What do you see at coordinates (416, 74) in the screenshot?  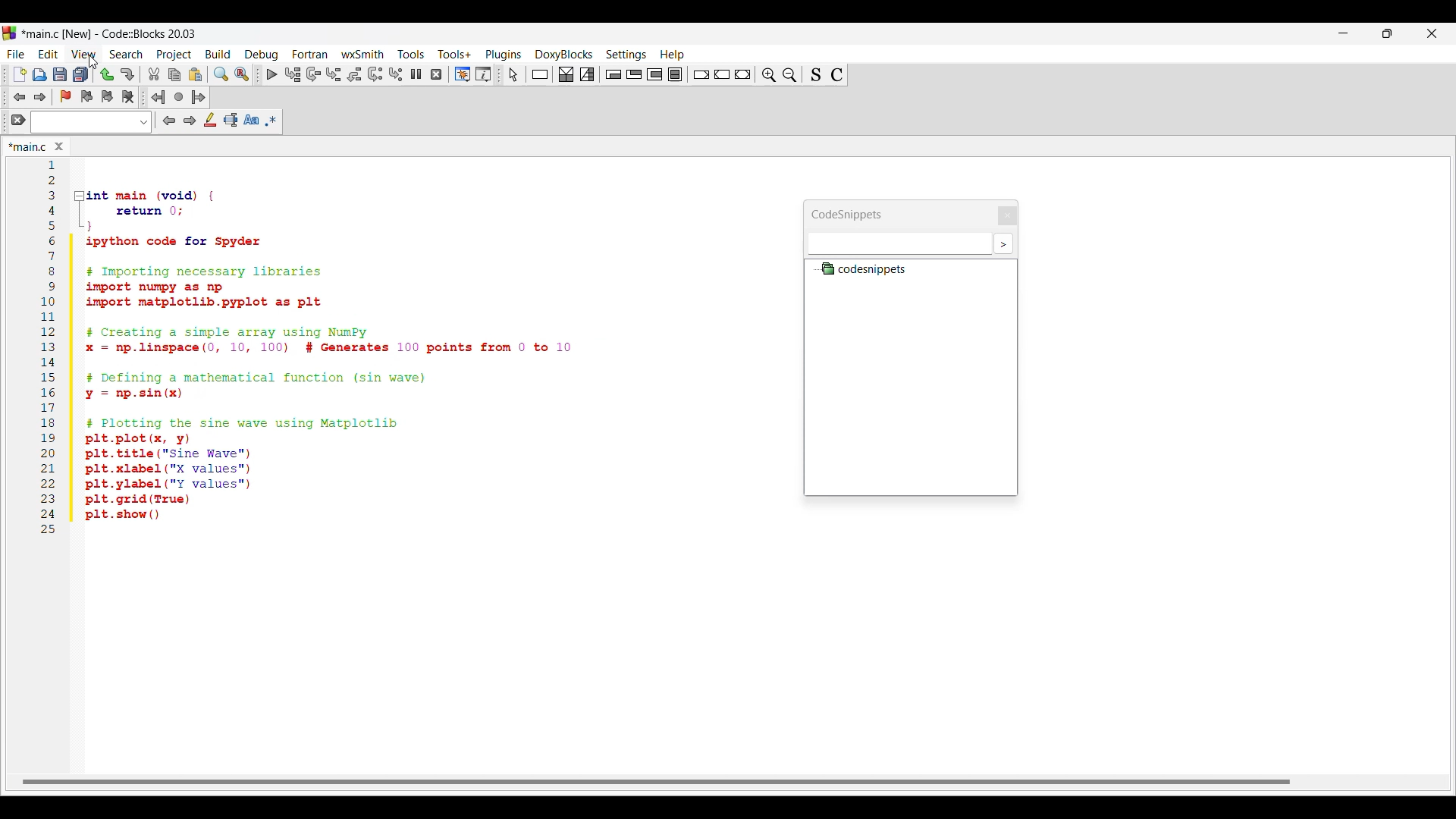 I see `Break debugger` at bounding box center [416, 74].